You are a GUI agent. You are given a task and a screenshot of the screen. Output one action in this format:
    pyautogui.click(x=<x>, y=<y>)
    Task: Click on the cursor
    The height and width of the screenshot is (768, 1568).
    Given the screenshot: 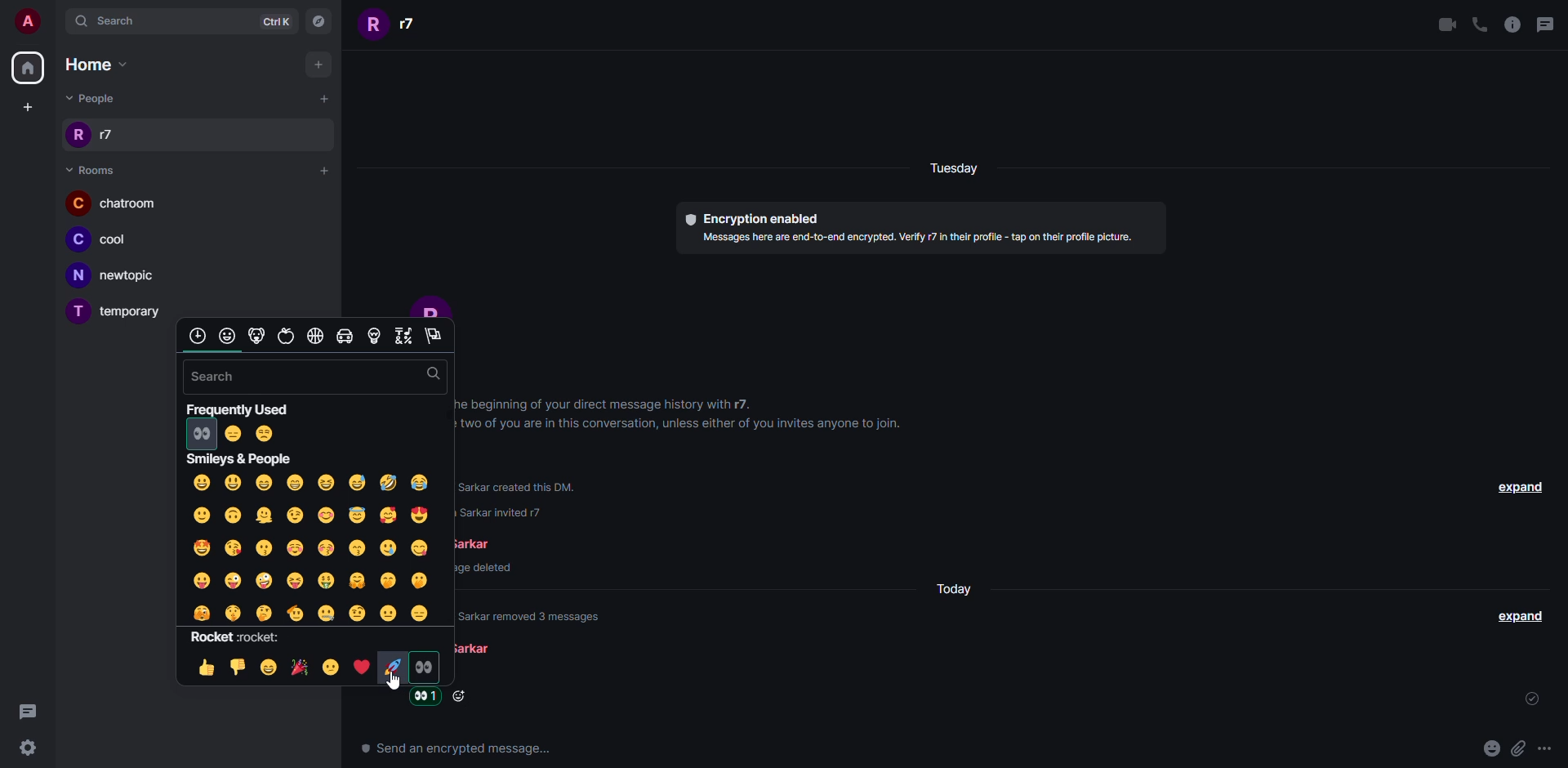 What is the action you would take?
    pyautogui.click(x=392, y=681)
    